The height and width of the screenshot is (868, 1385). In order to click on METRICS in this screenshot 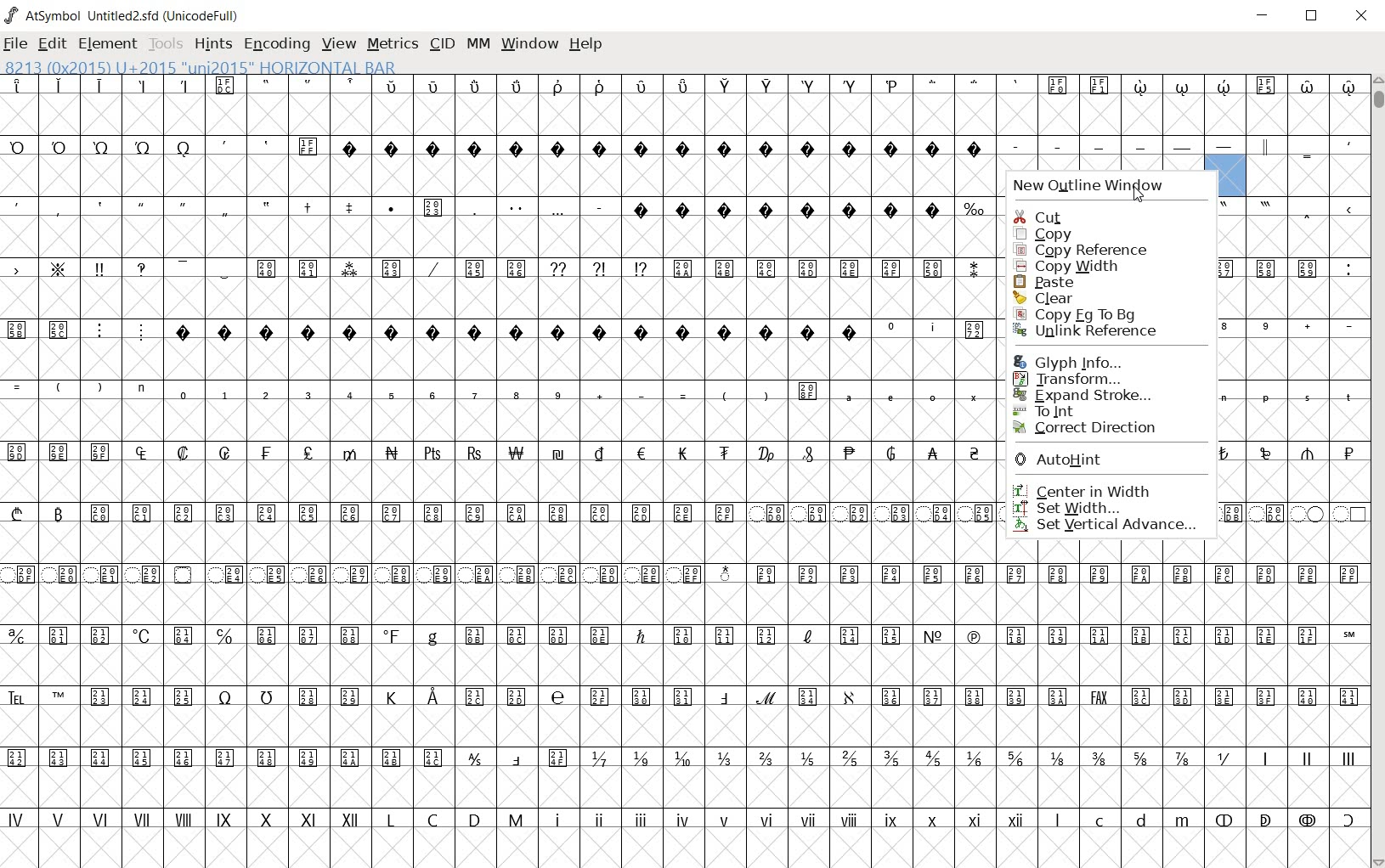, I will do `click(395, 45)`.